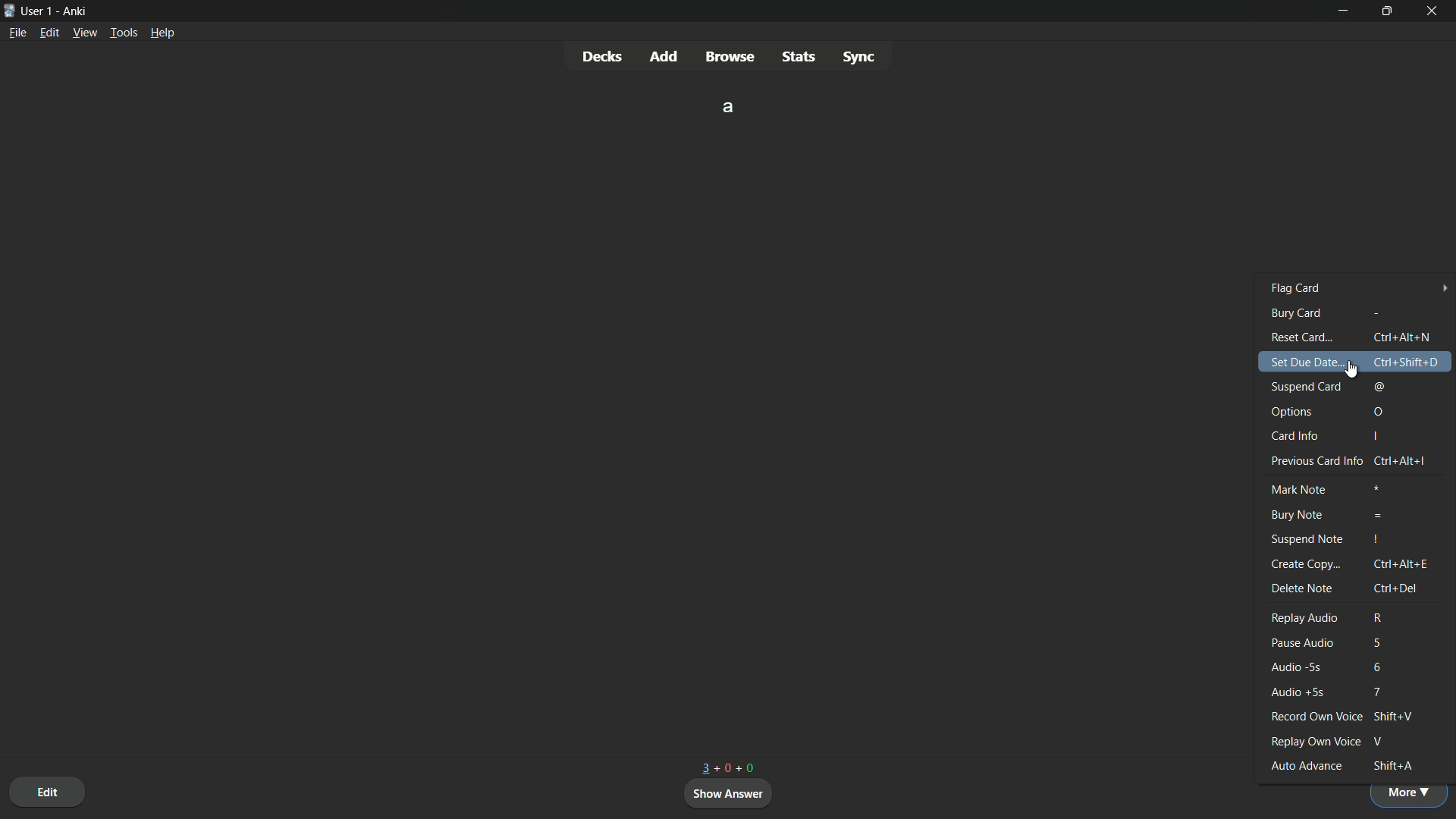 The height and width of the screenshot is (819, 1456). I want to click on minimize, so click(1345, 11).